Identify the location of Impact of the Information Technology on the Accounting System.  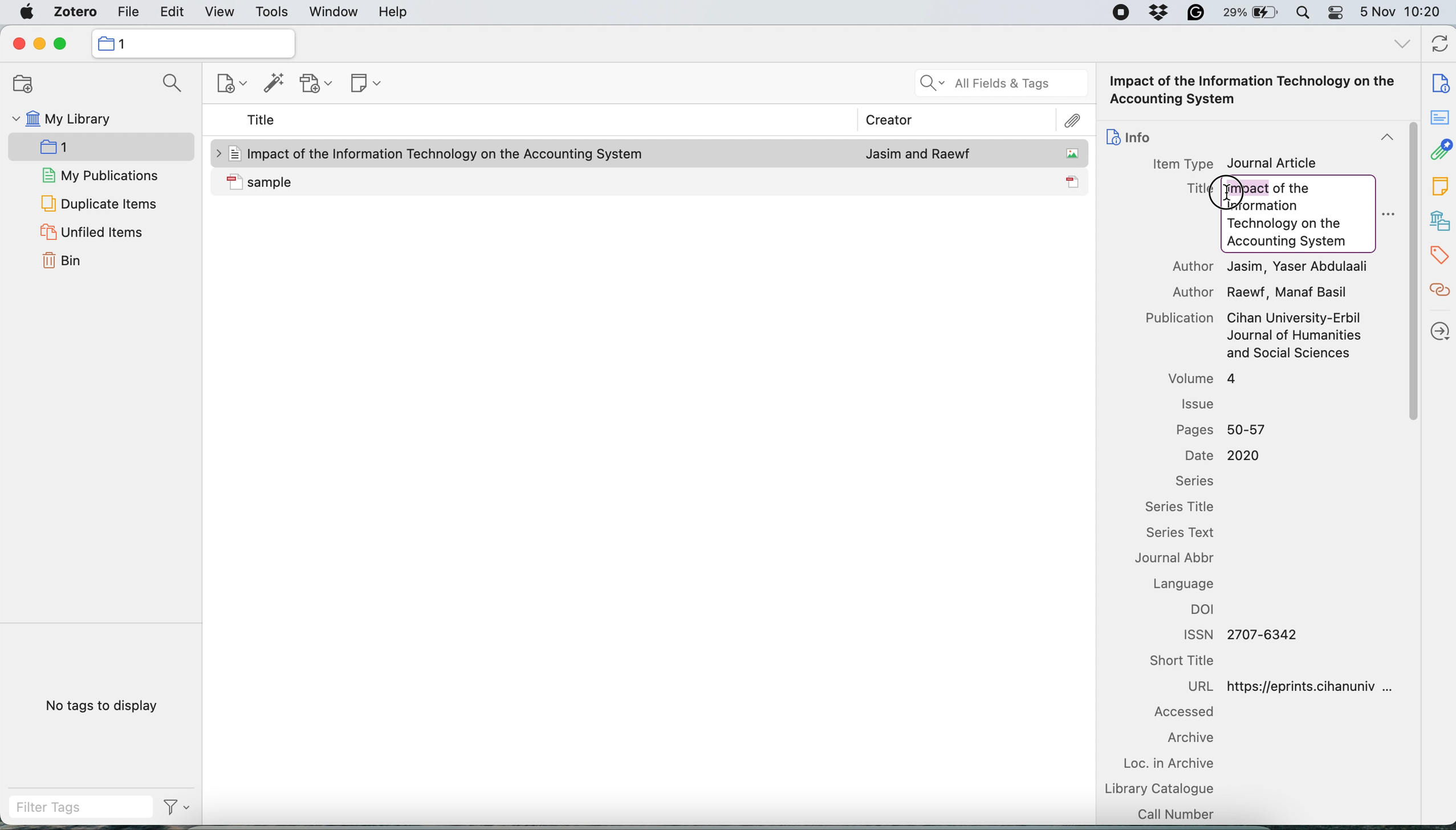
(448, 154).